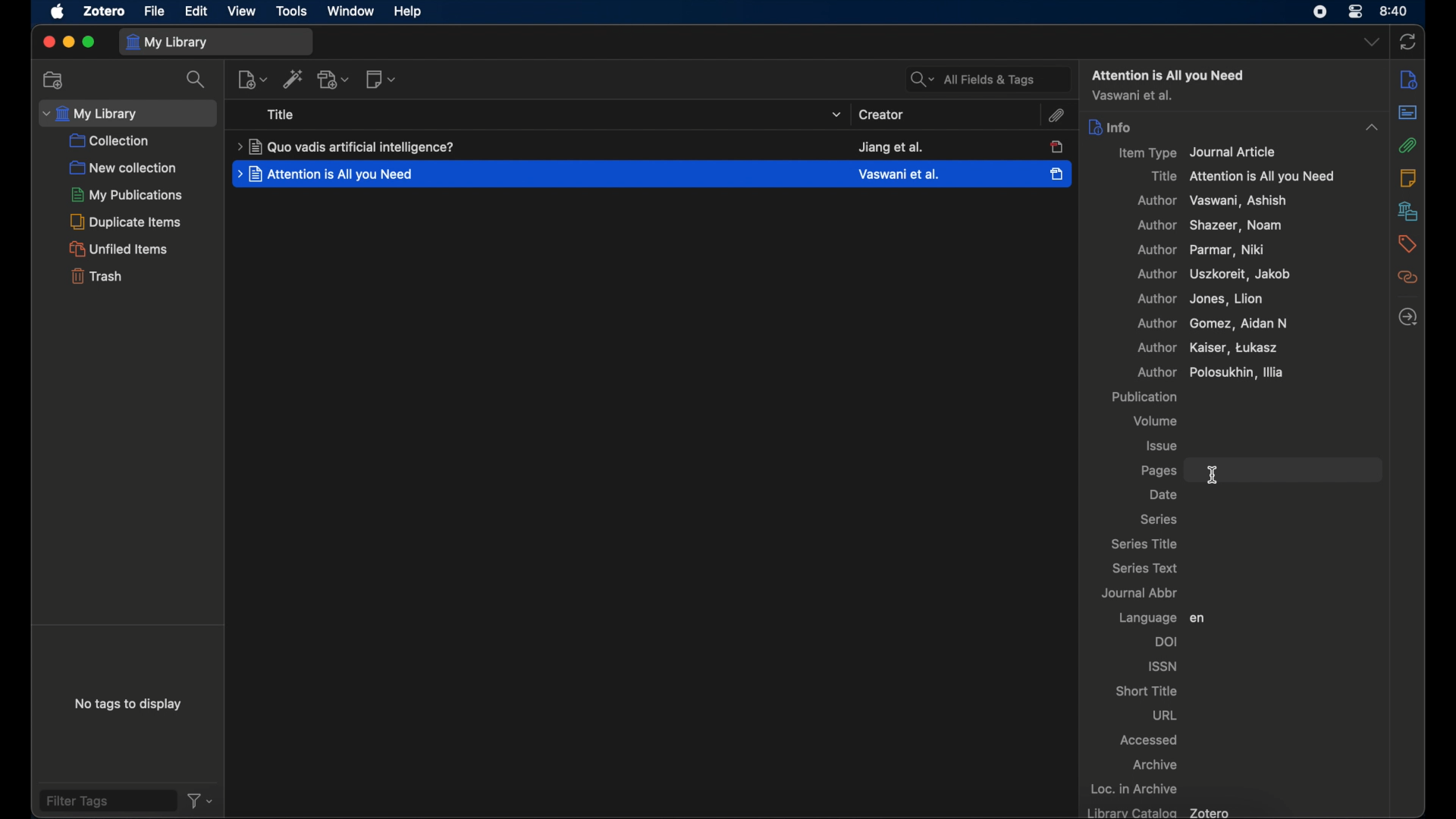 Image resolution: width=1456 pixels, height=819 pixels. Describe the element at coordinates (89, 43) in the screenshot. I see `maximize` at that location.